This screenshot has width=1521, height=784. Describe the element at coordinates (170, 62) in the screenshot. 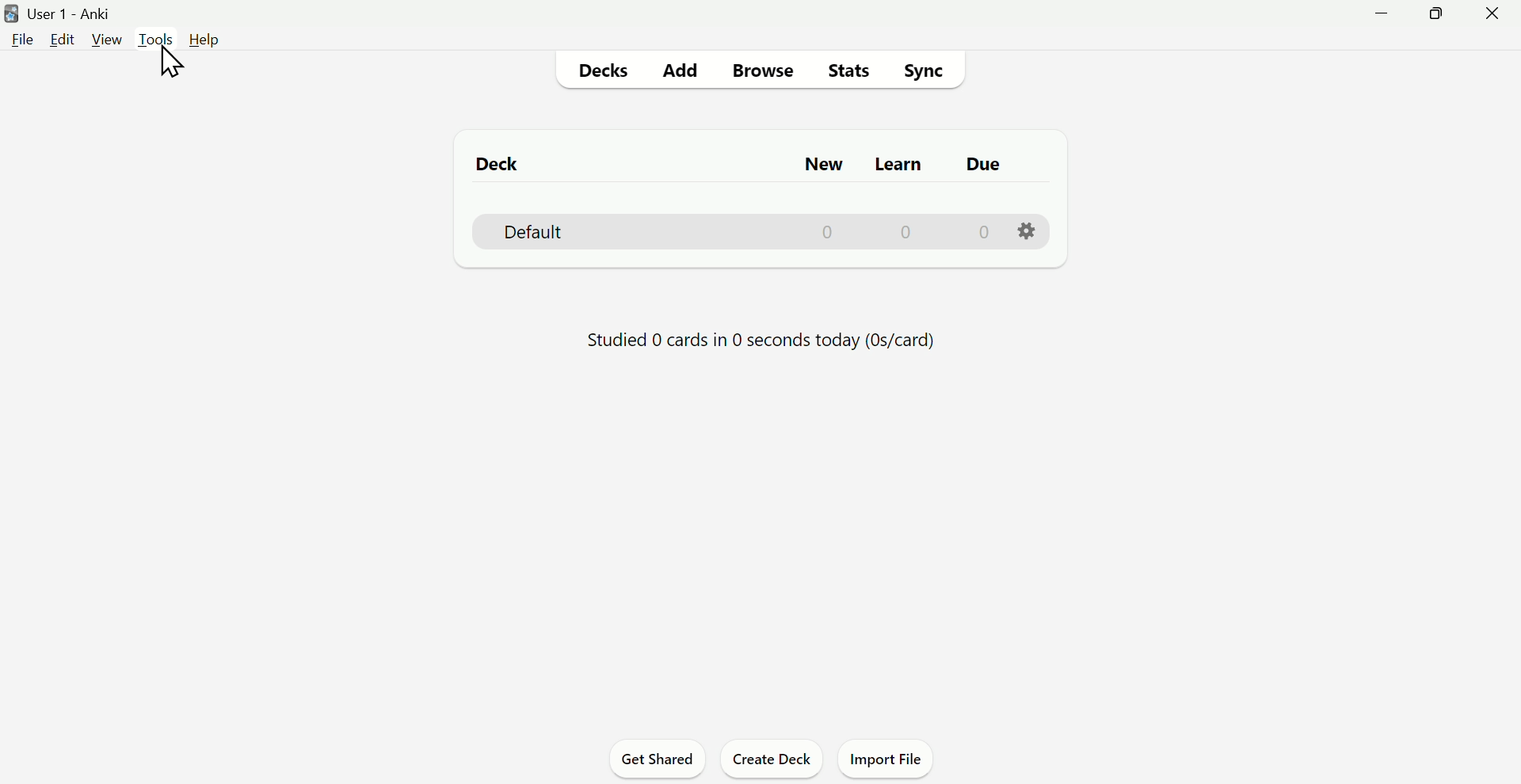

I see `Cursor` at that location.